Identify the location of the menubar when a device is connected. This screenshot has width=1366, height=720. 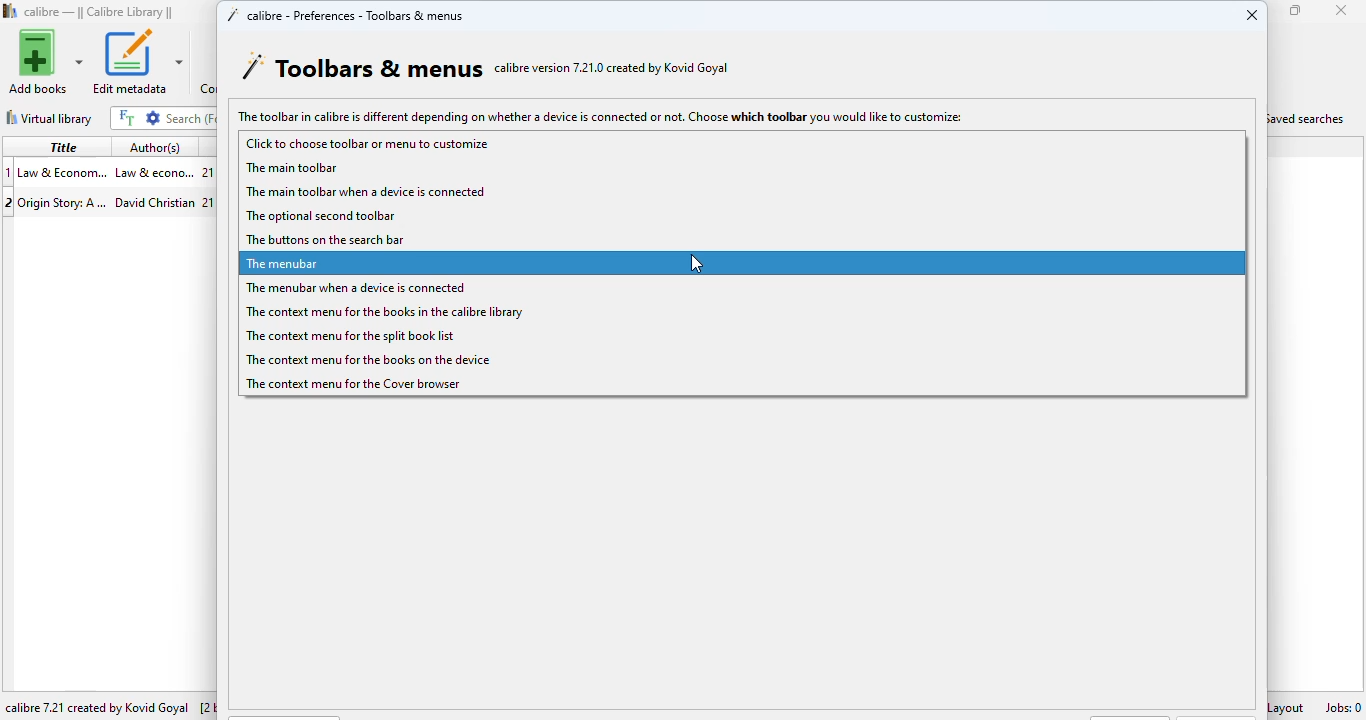
(358, 287).